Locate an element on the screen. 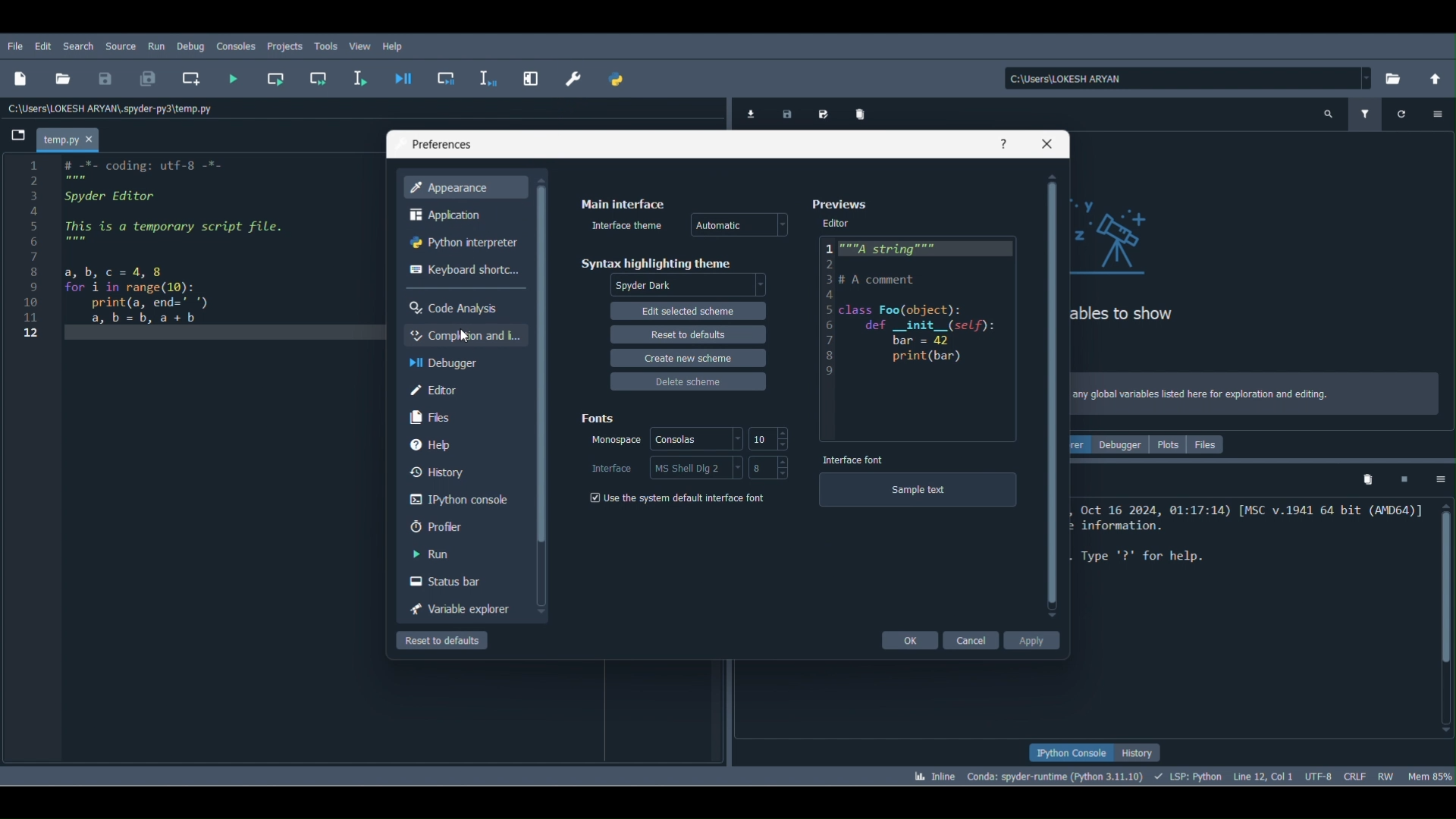 This screenshot has width=1456, height=819. Run current cell (Ctrl + Return) is located at coordinates (276, 80).